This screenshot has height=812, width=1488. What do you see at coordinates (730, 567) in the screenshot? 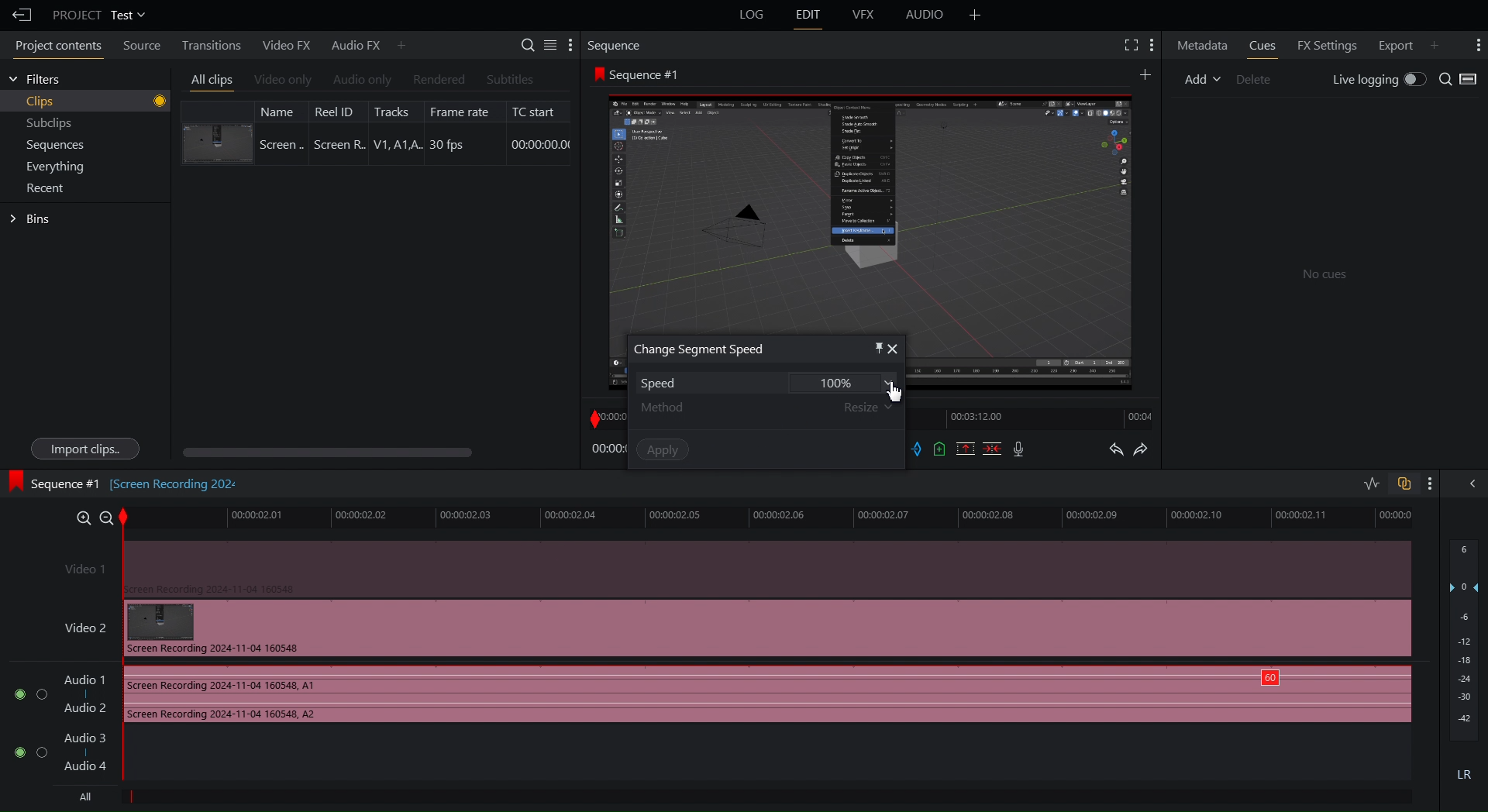
I see `Video 1` at bounding box center [730, 567].